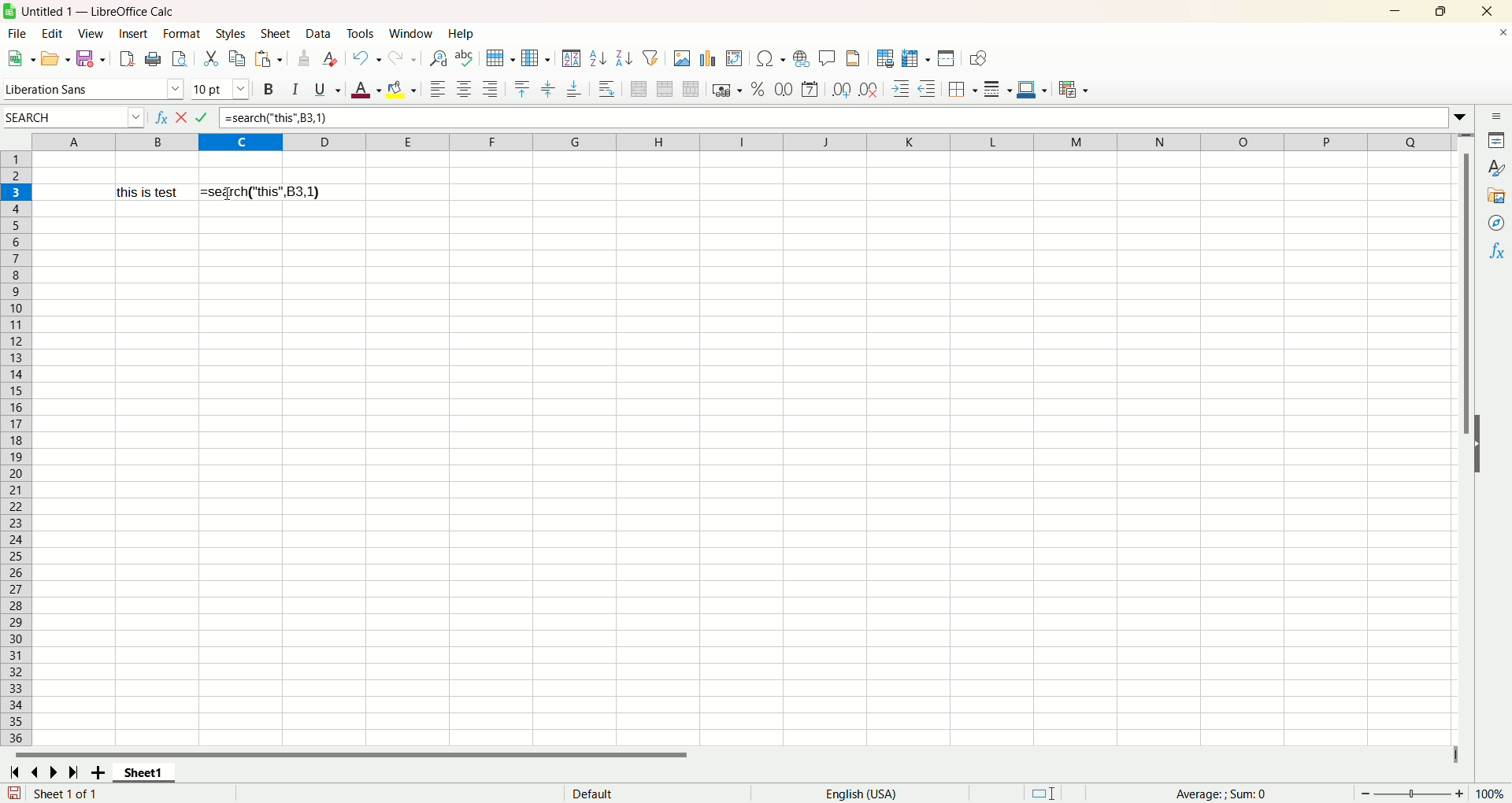  I want to click on border style, so click(999, 87).